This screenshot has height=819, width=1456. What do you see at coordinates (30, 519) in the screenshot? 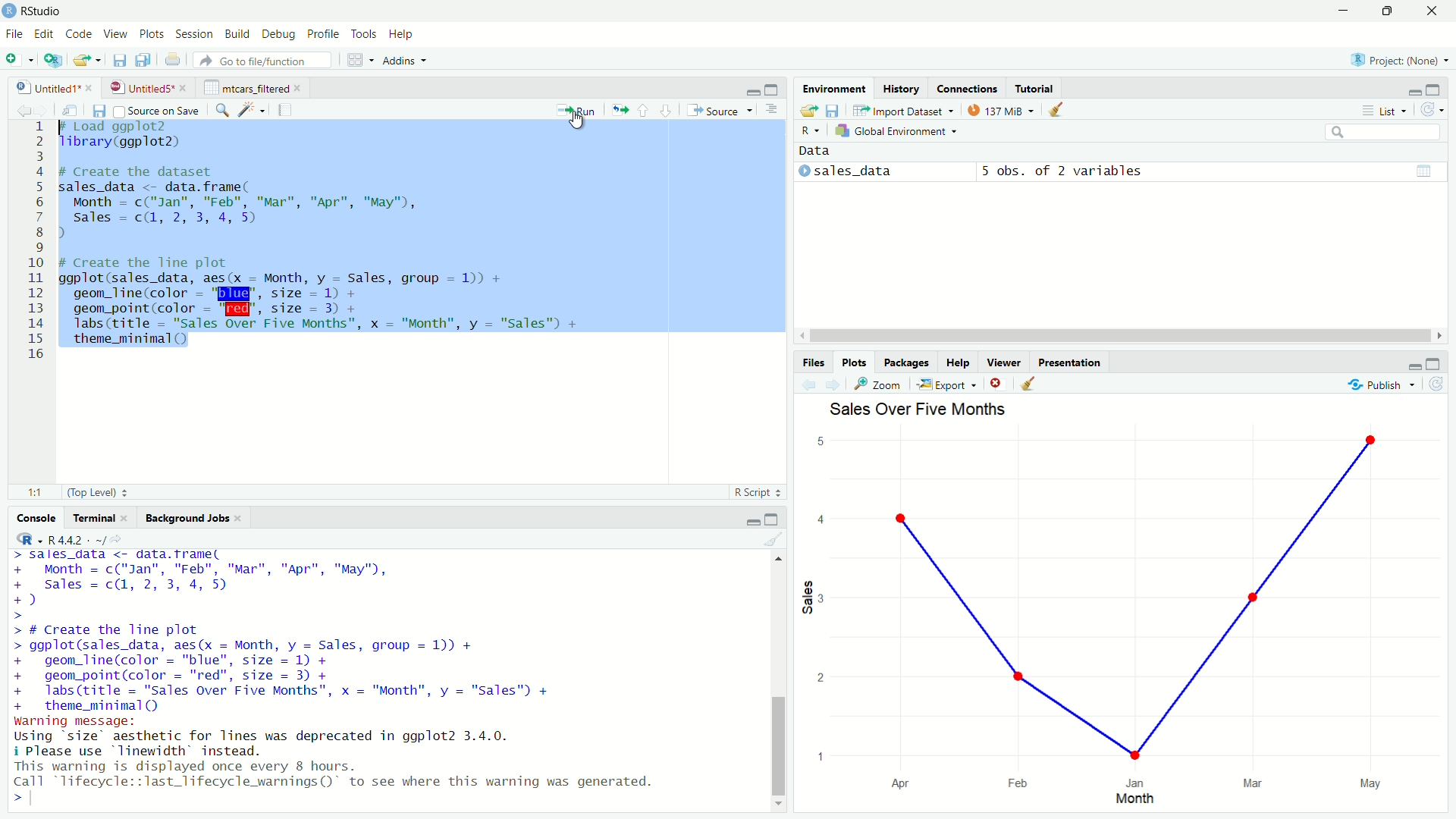
I see `console` at bounding box center [30, 519].